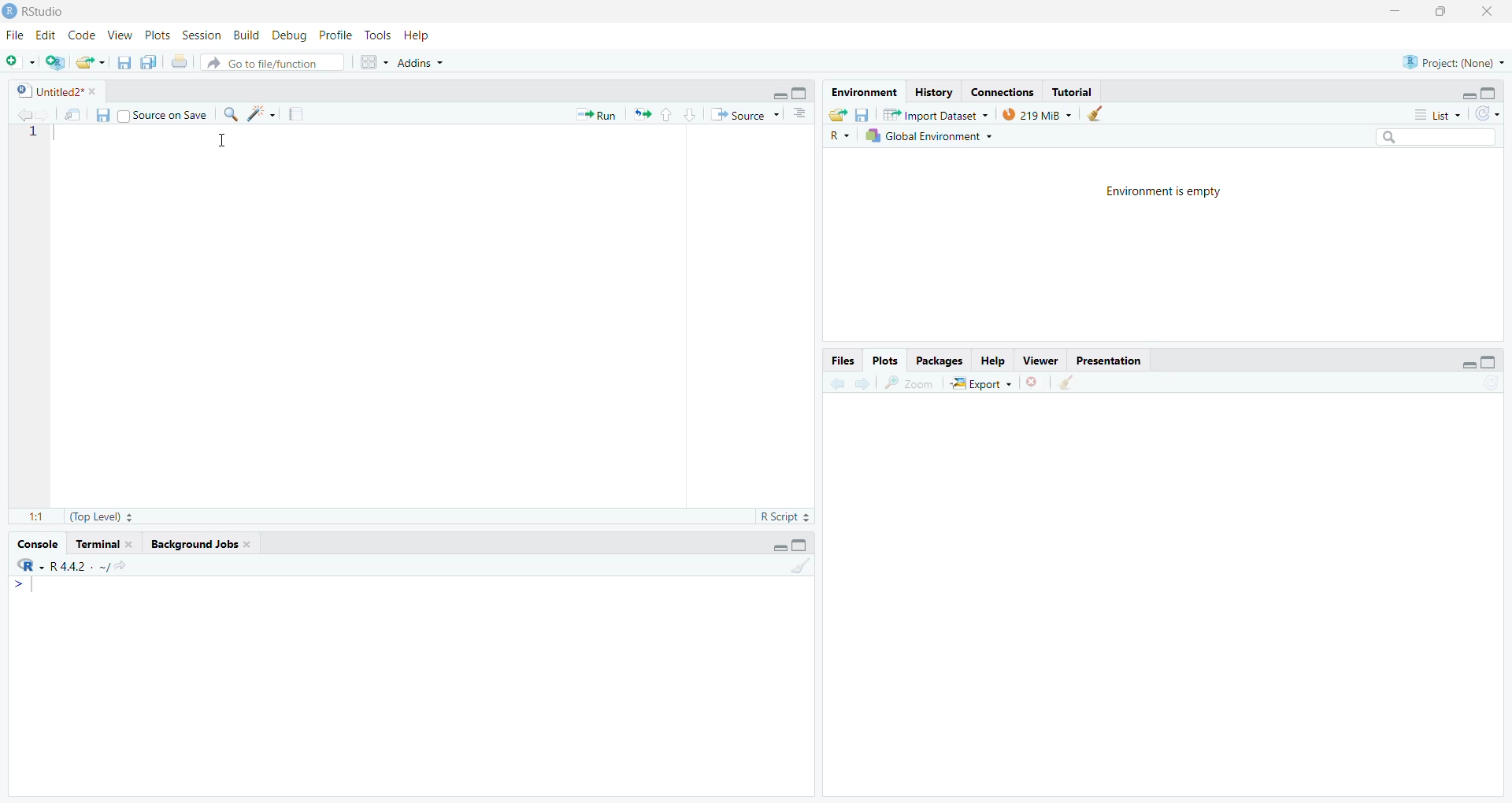  Describe the element at coordinates (20, 116) in the screenshot. I see `Go to previous source location` at that location.